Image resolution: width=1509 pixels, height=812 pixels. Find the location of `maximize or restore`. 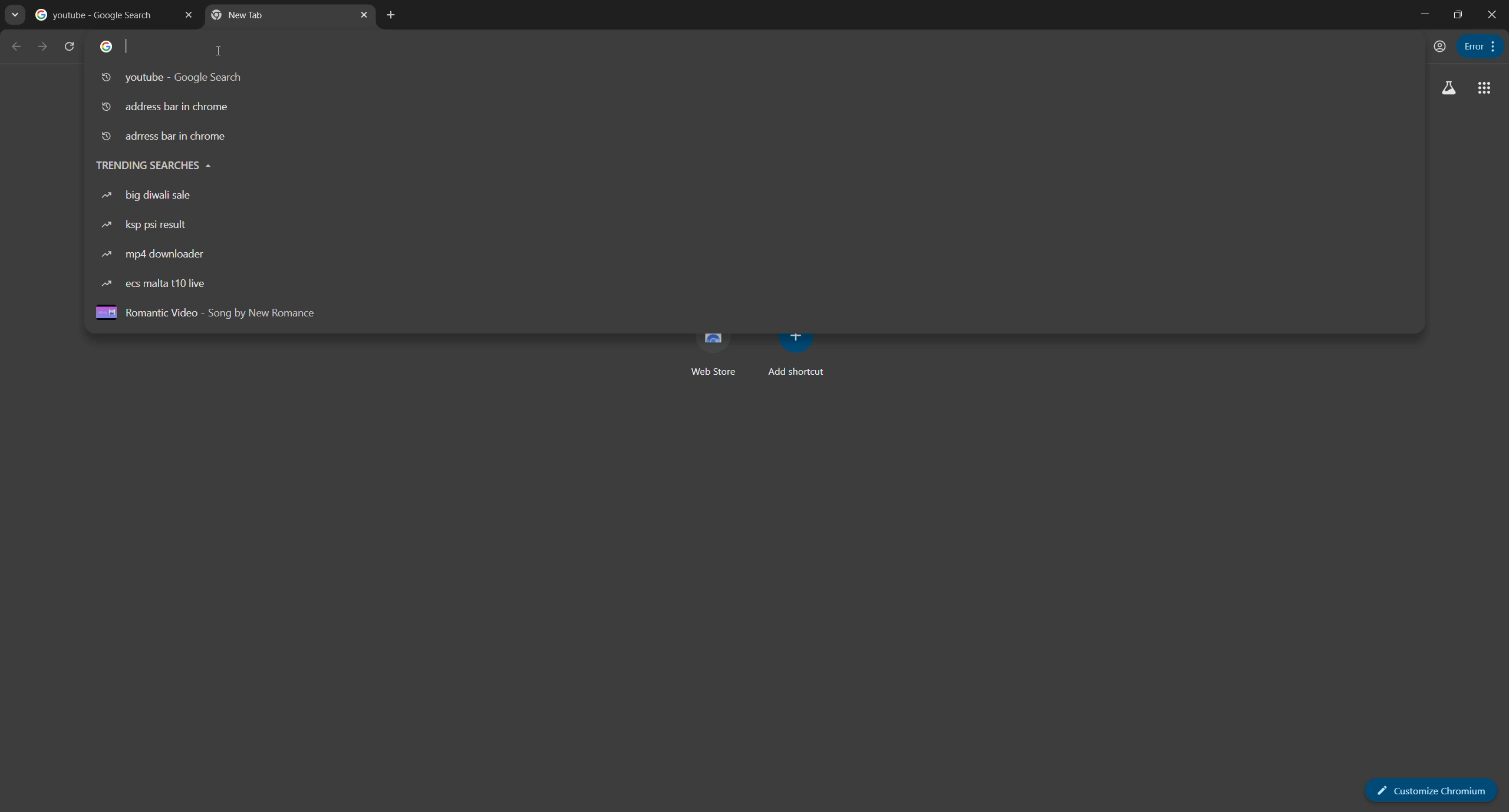

maximize or restore is located at coordinates (1459, 14).